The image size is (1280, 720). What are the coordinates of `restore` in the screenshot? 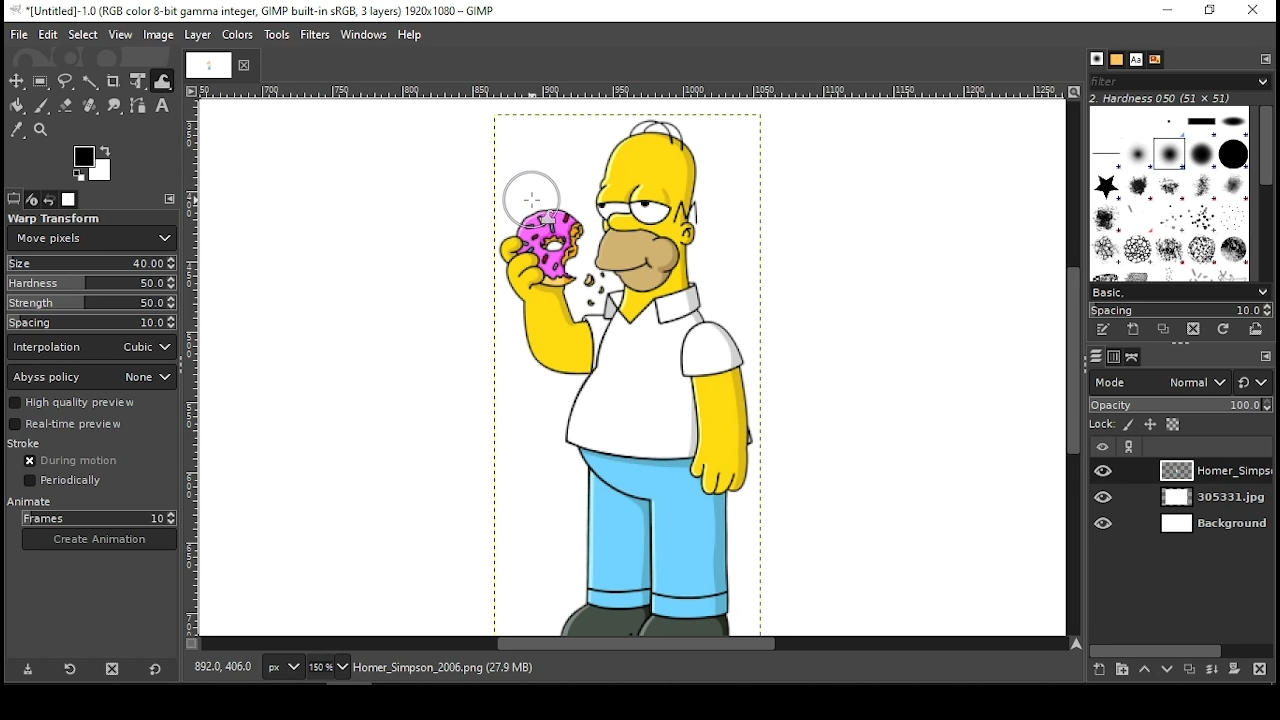 It's located at (1213, 9).